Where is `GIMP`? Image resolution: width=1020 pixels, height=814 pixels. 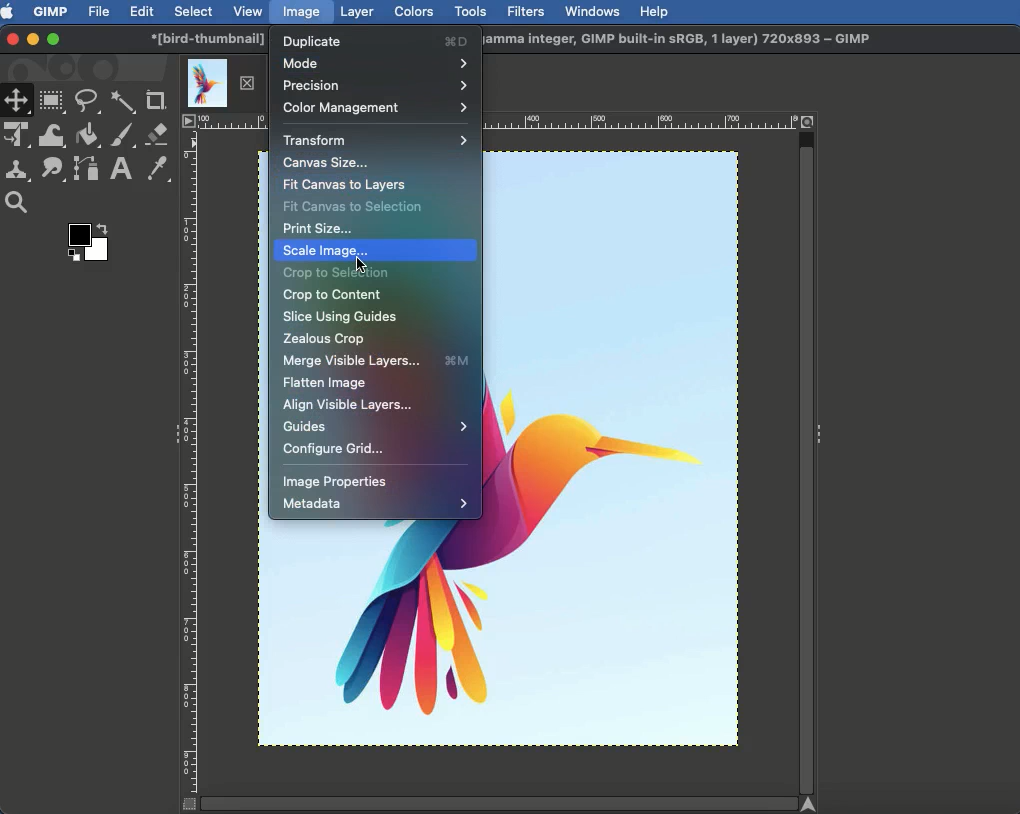
GIMP is located at coordinates (50, 12).